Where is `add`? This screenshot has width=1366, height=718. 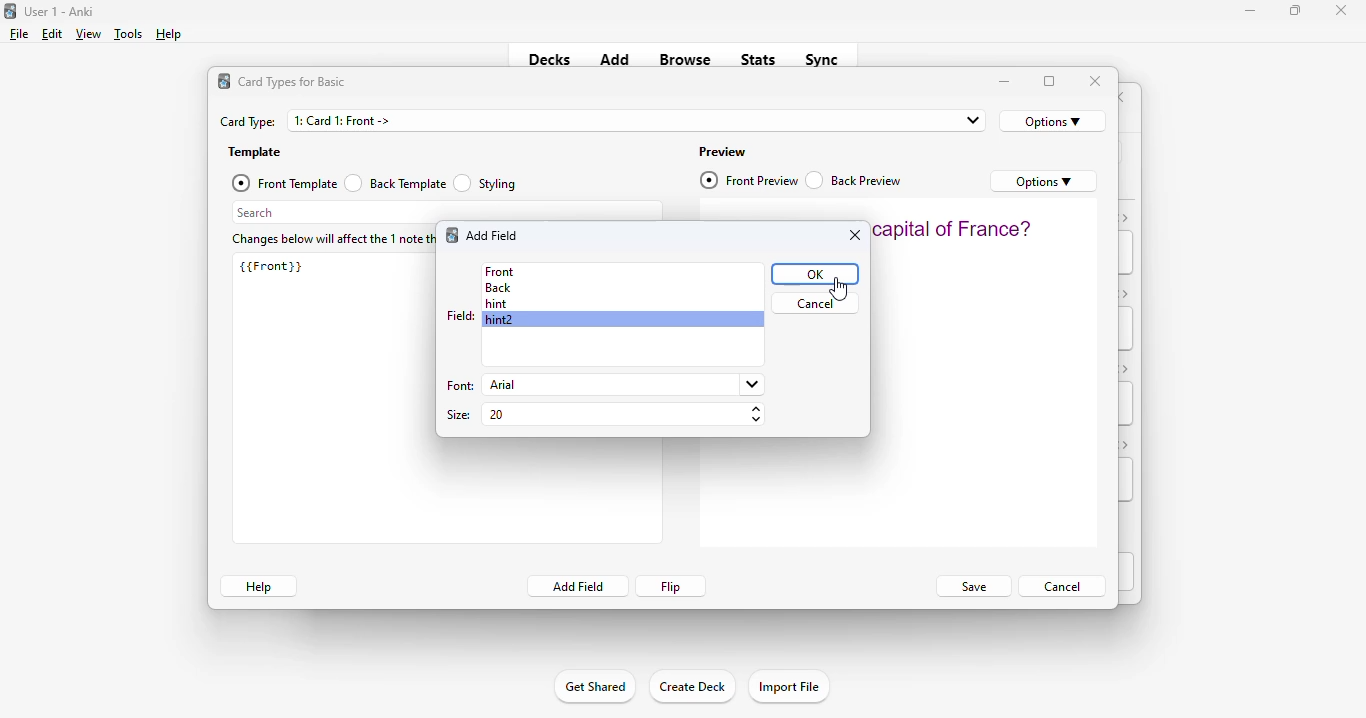 add is located at coordinates (615, 58).